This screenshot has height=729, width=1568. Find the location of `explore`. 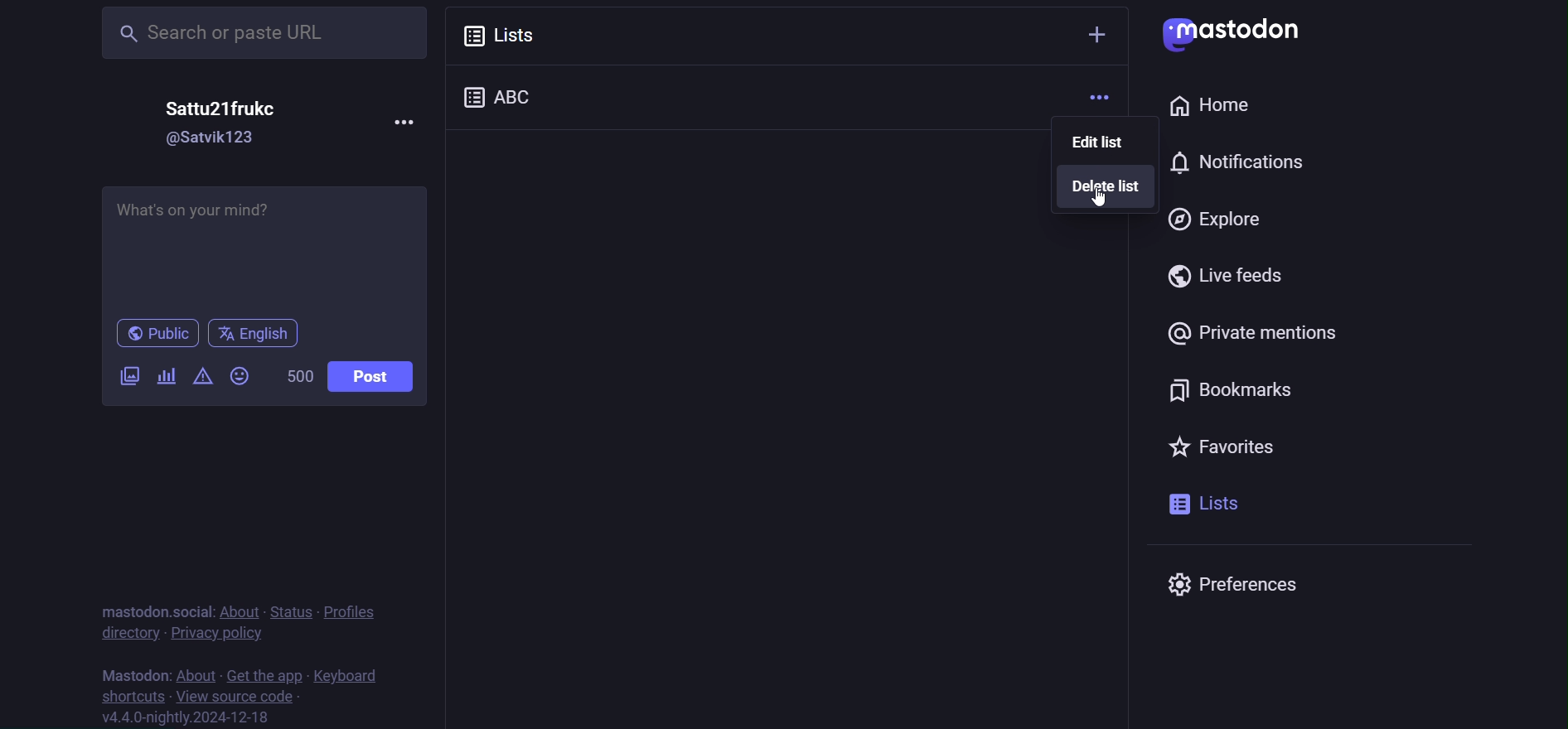

explore is located at coordinates (1215, 216).